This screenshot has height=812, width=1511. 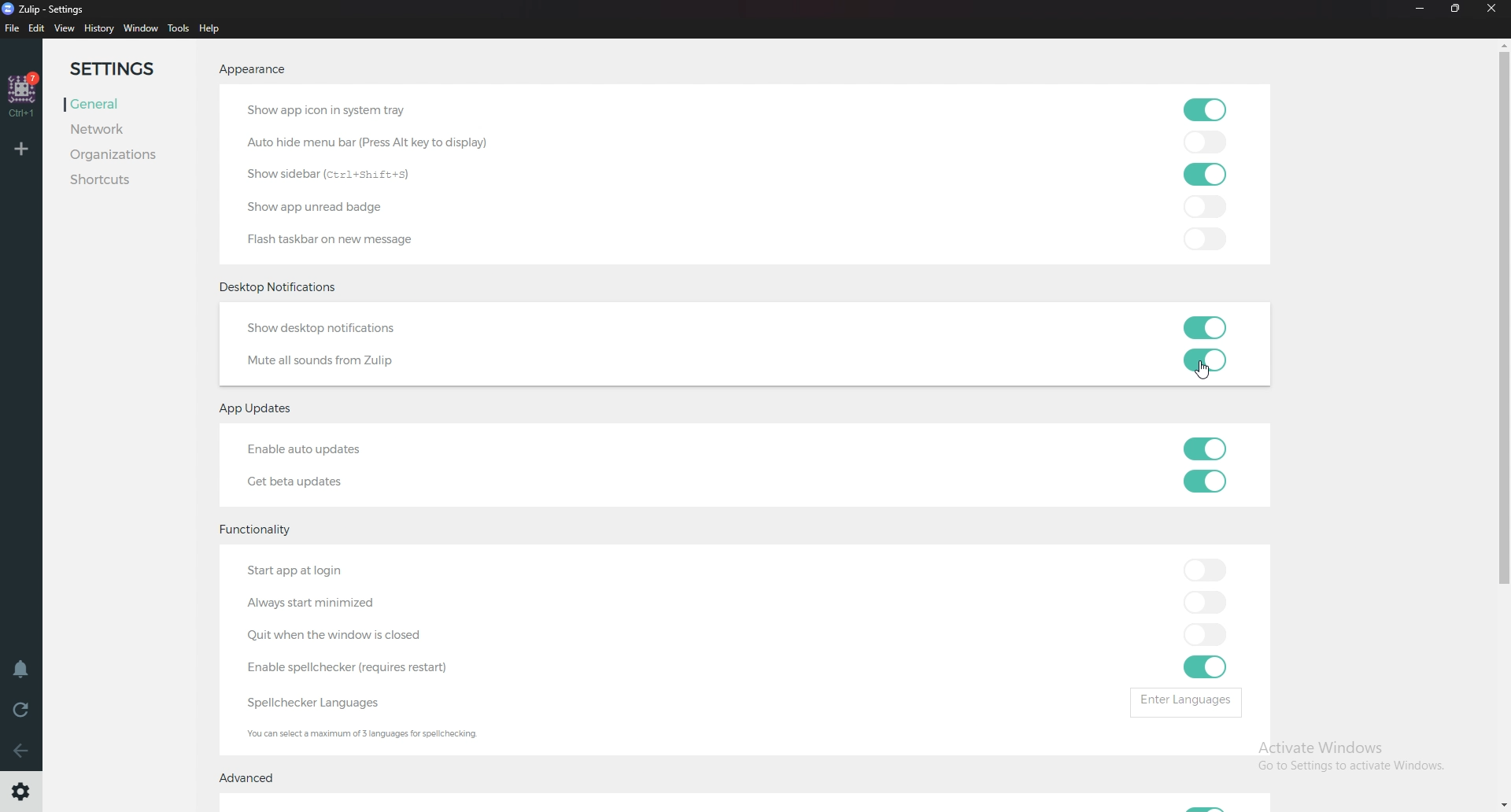 I want to click on edit, so click(x=39, y=28).